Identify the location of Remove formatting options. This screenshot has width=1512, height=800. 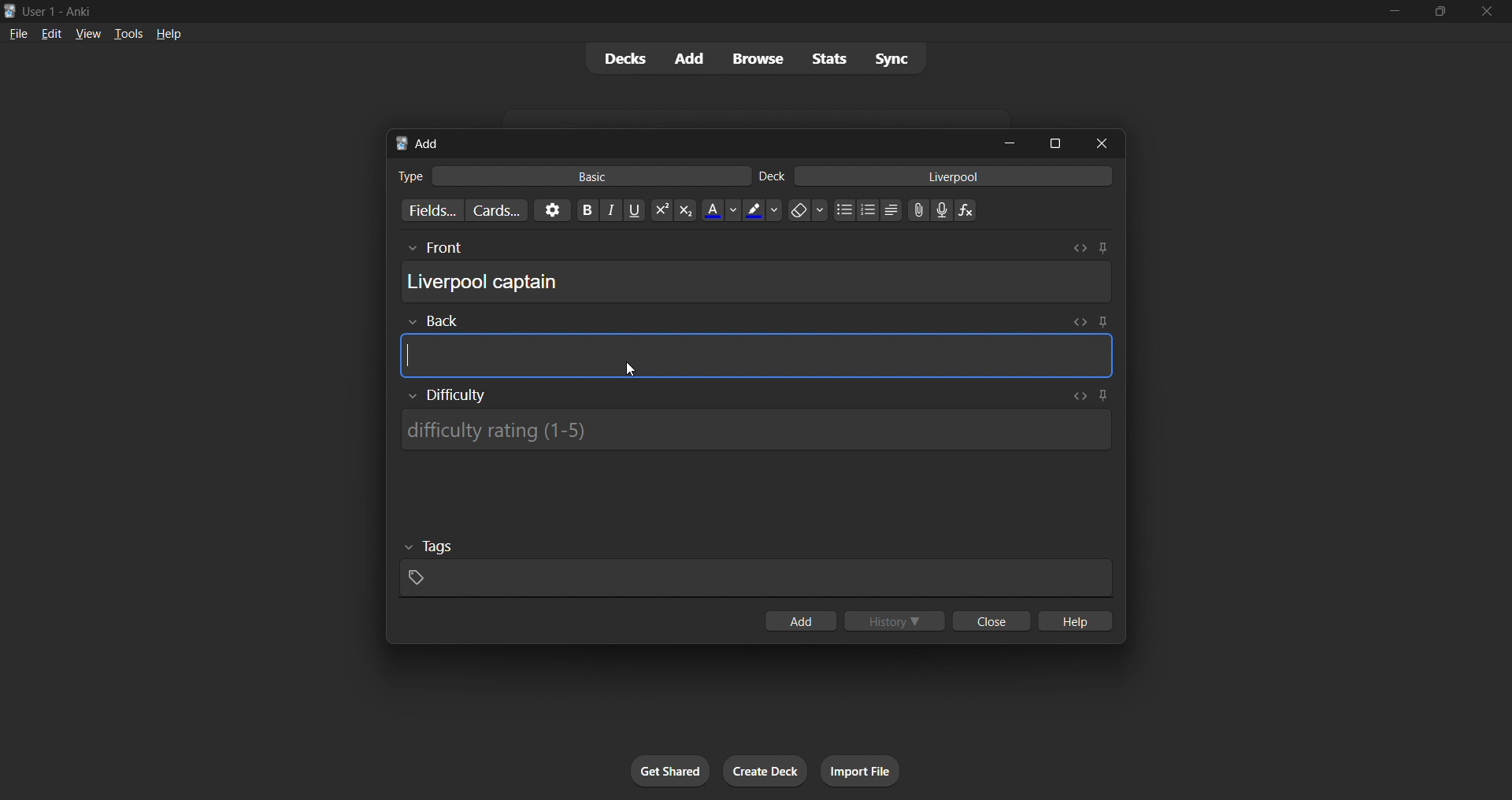
(809, 210).